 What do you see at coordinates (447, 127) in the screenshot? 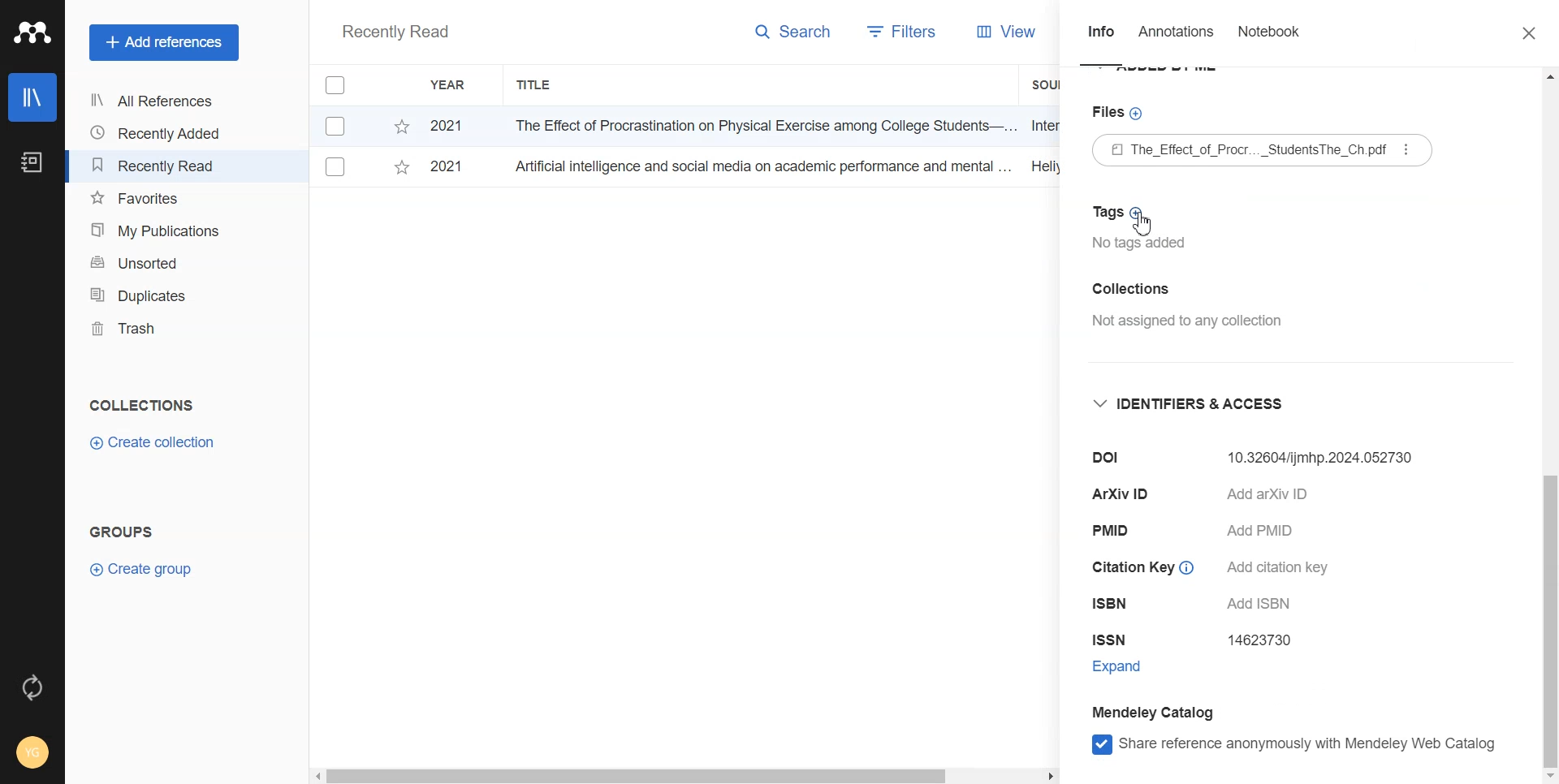
I see `2021` at bounding box center [447, 127].